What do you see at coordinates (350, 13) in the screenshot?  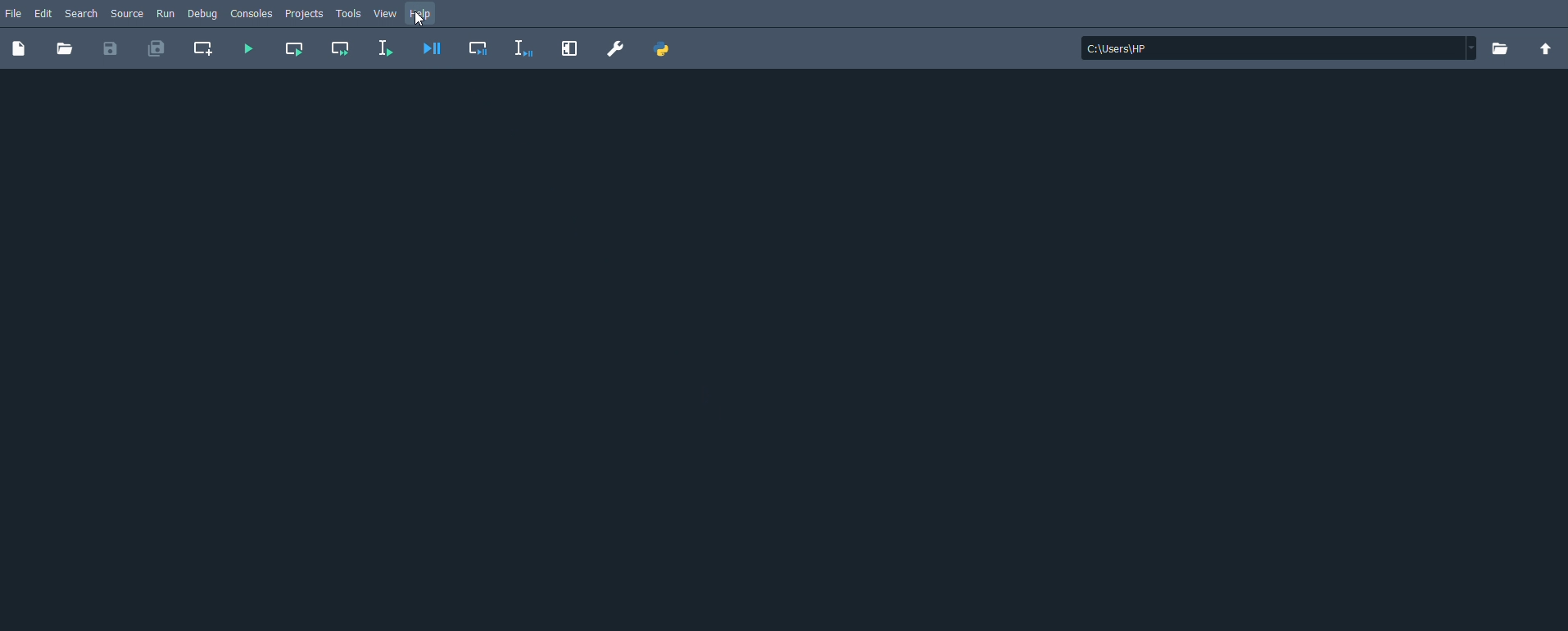 I see `Tools` at bounding box center [350, 13].